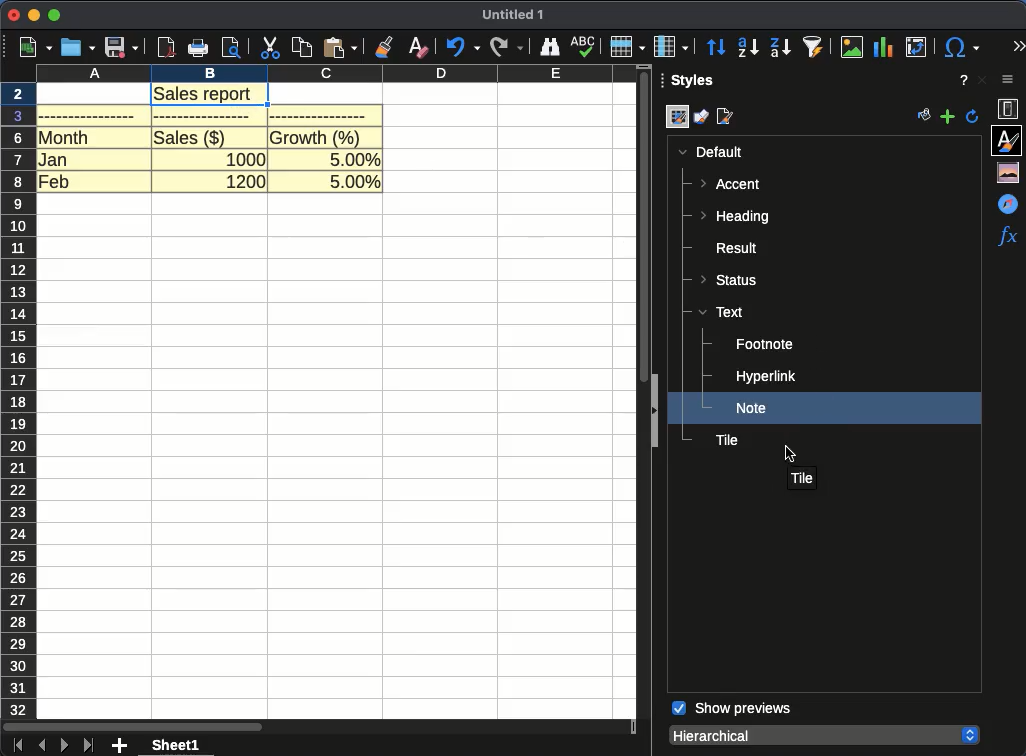  Describe the element at coordinates (355, 157) in the screenshot. I see `5.00%` at that location.